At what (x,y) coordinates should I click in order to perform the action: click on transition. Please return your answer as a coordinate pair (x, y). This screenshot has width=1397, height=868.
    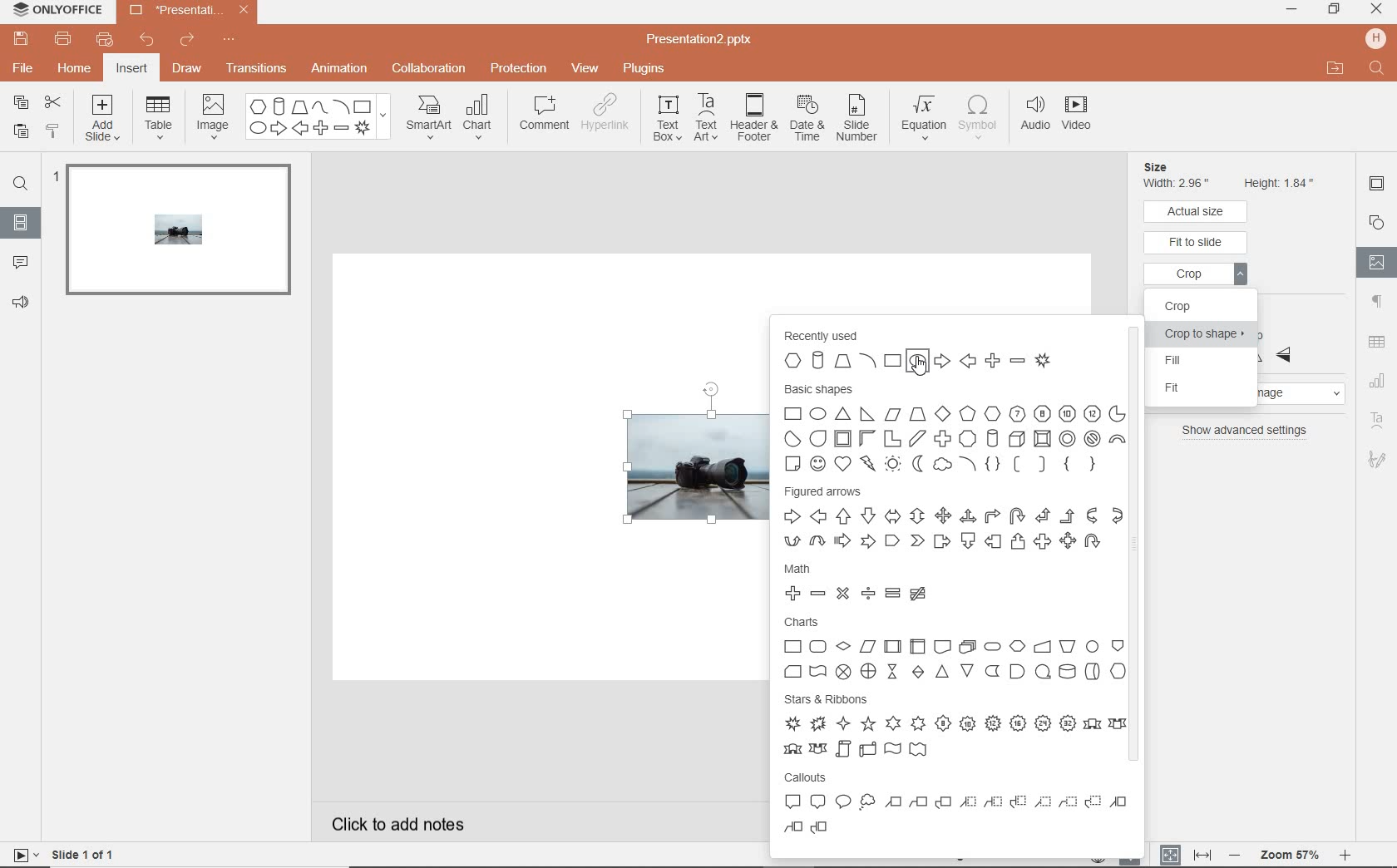
    Looking at the image, I should click on (256, 68).